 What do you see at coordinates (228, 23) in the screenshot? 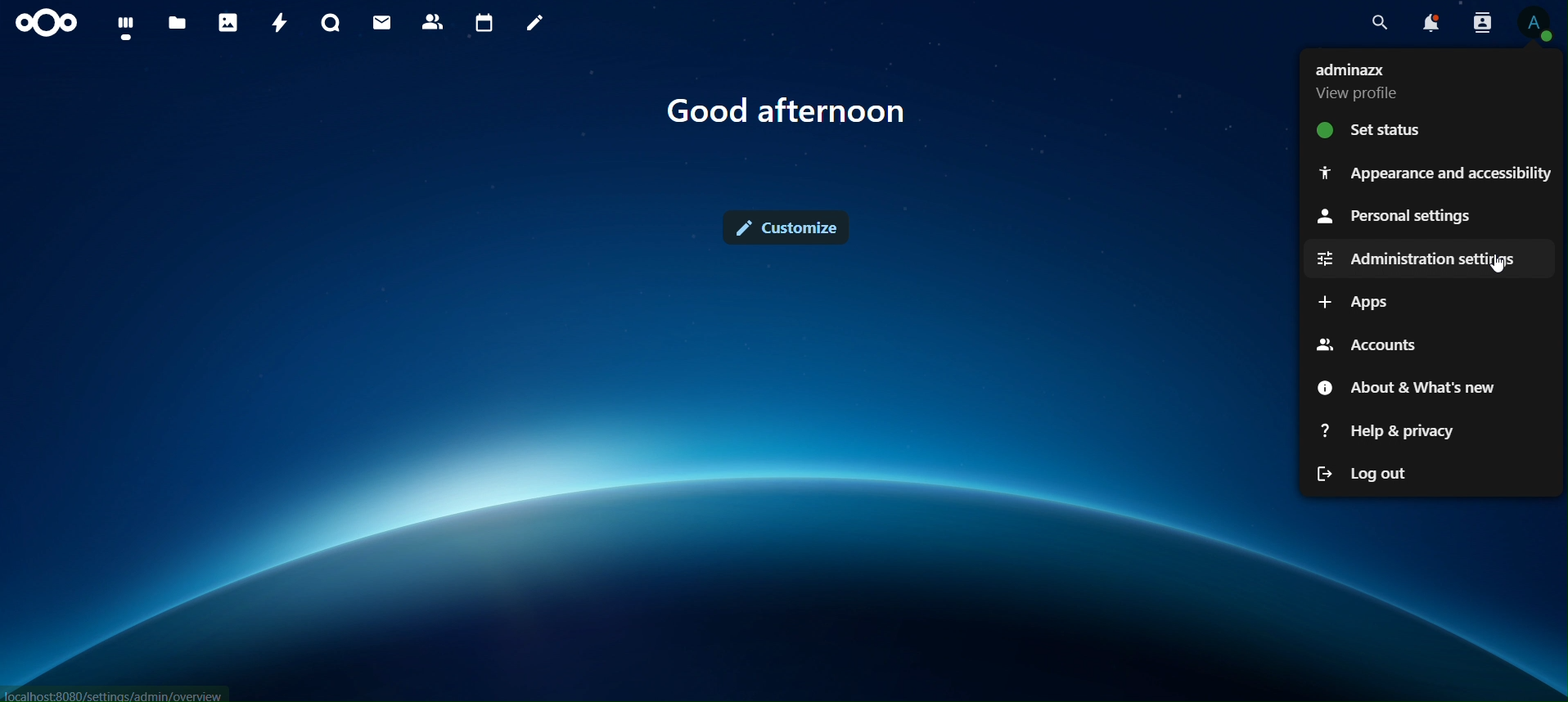
I see `photos` at bounding box center [228, 23].